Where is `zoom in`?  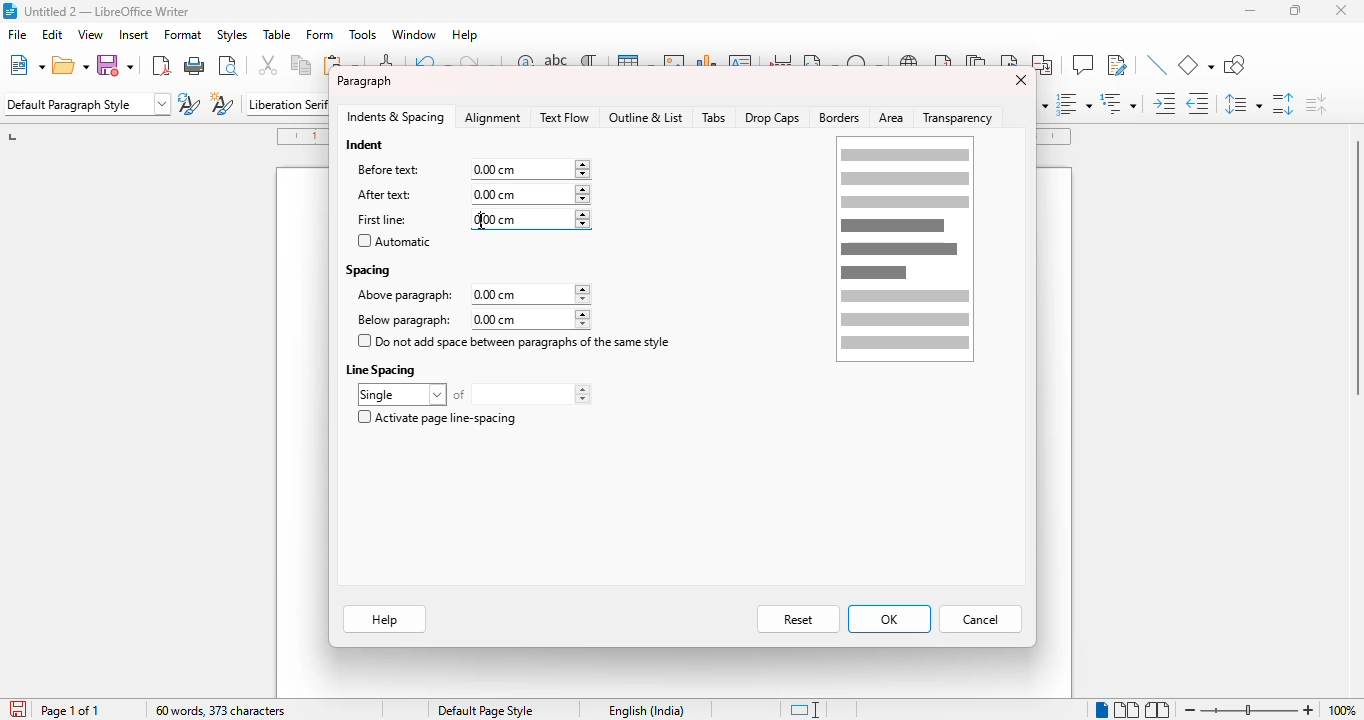 zoom in is located at coordinates (1309, 709).